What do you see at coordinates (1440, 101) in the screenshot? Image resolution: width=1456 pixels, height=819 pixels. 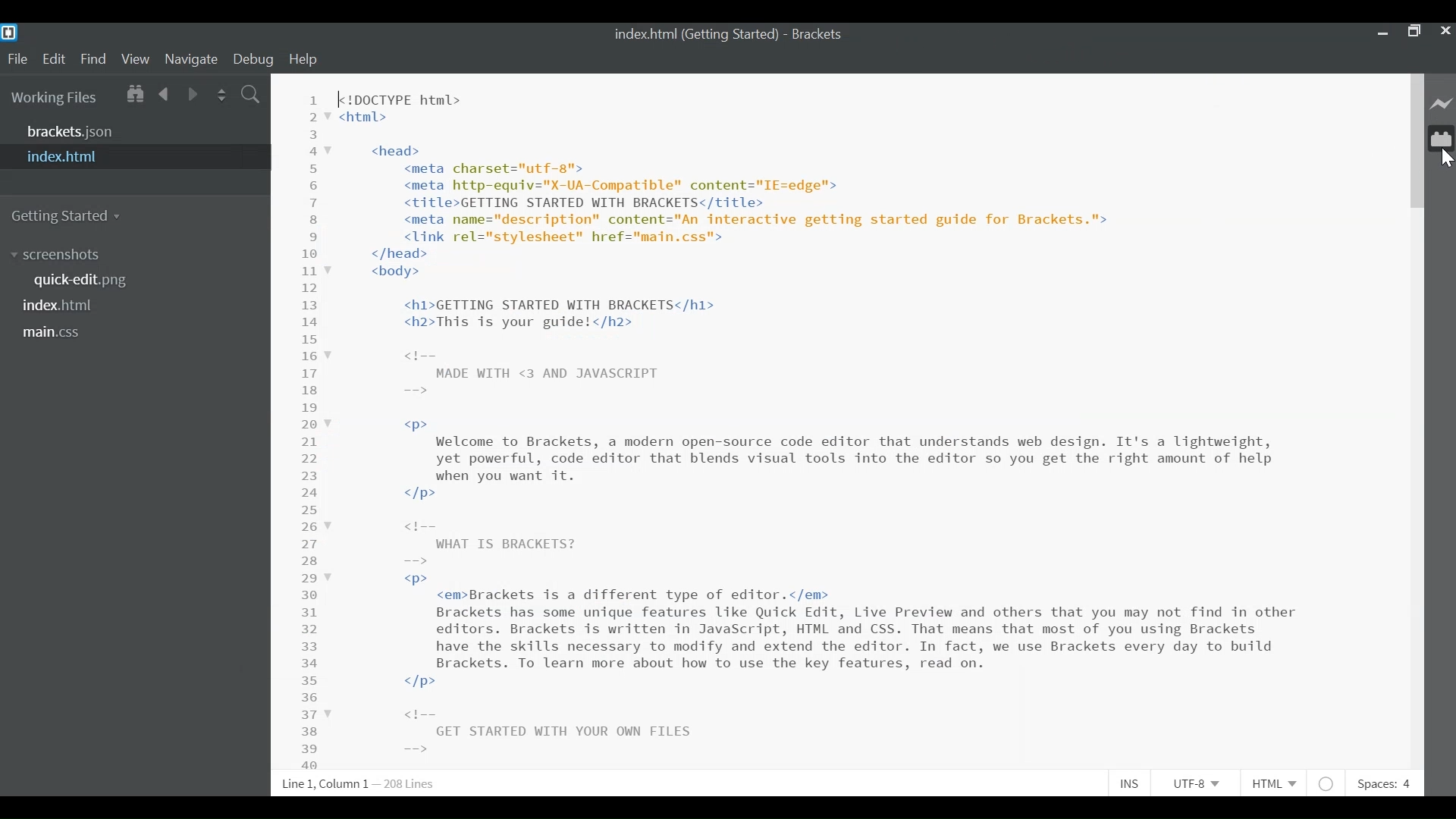 I see `Live Preview` at bounding box center [1440, 101].